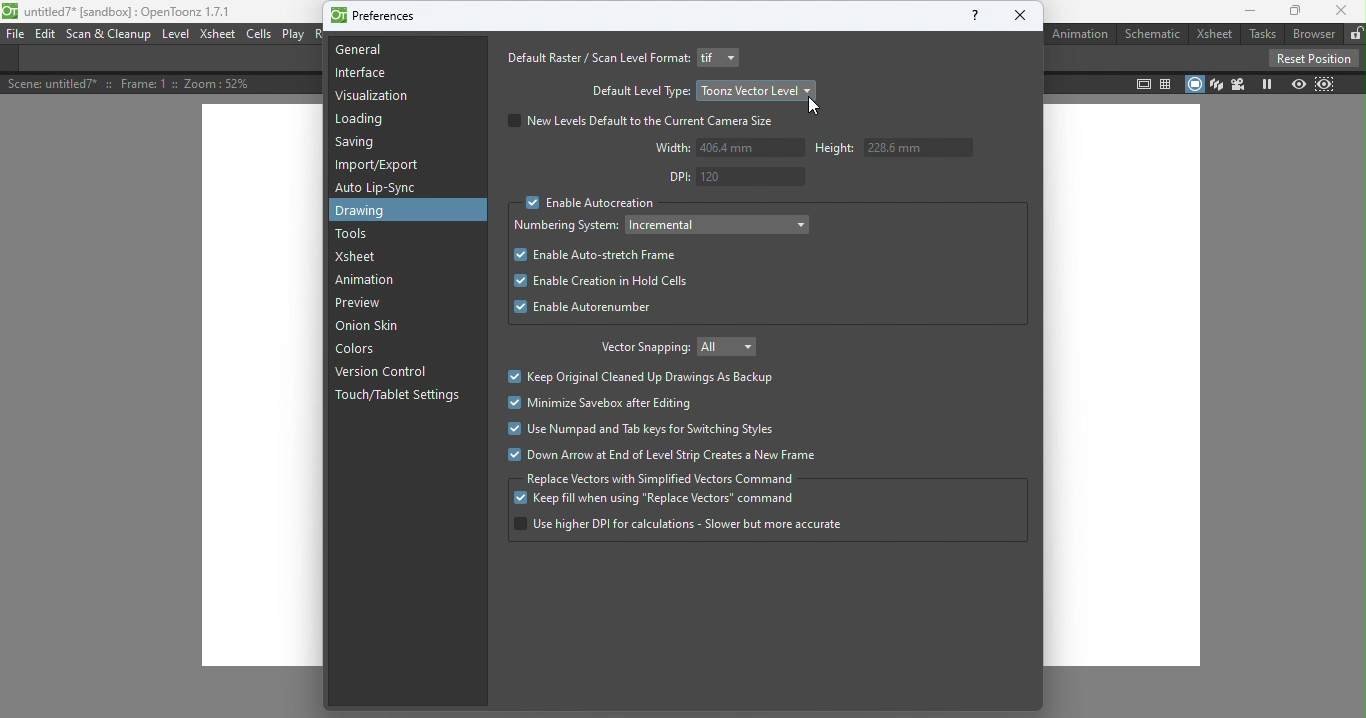 The image size is (1366, 718). What do you see at coordinates (1245, 13) in the screenshot?
I see `Minimize` at bounding box center [1245, 13].